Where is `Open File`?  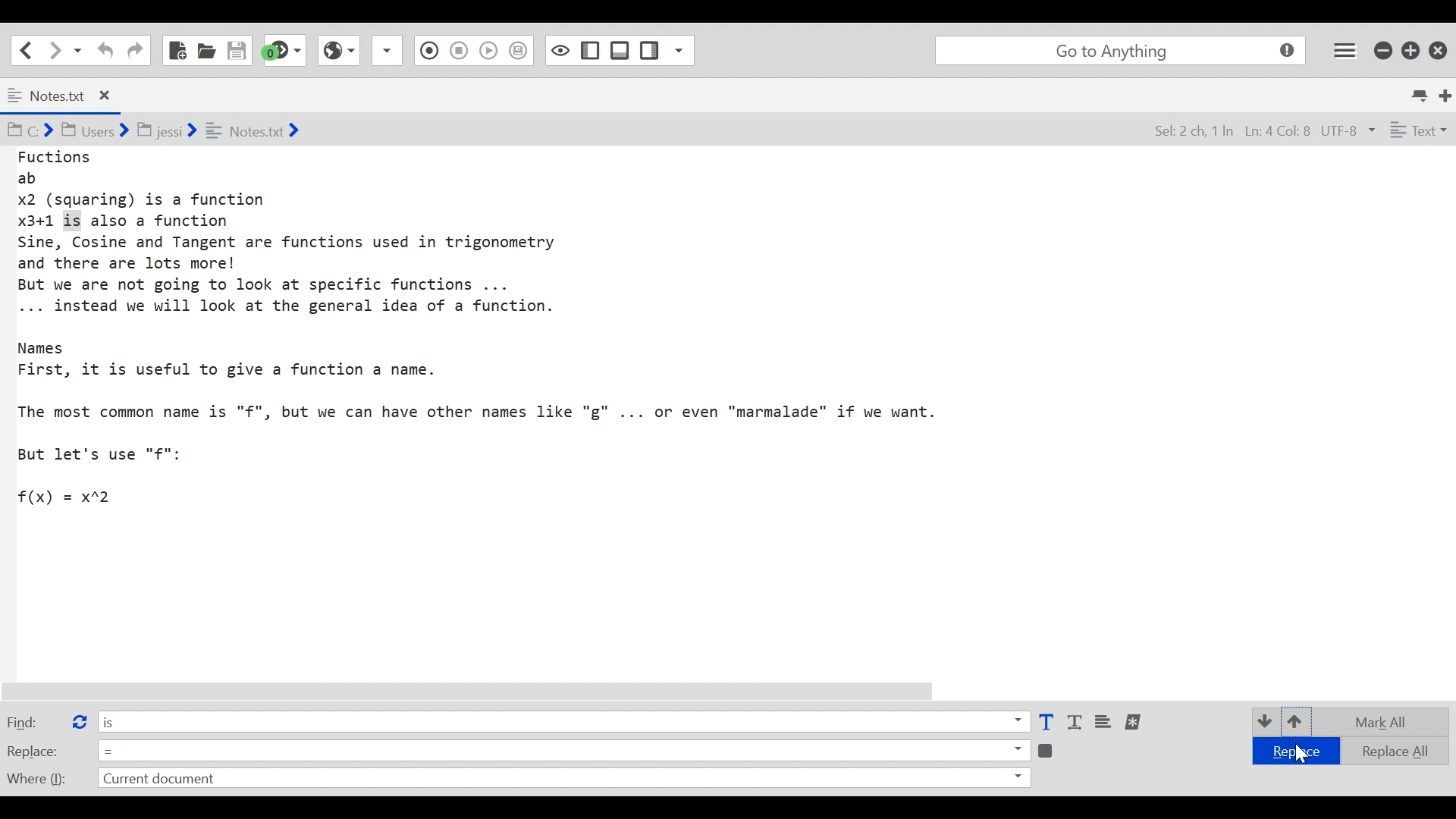
Open File is located at coordinates (206, 50).